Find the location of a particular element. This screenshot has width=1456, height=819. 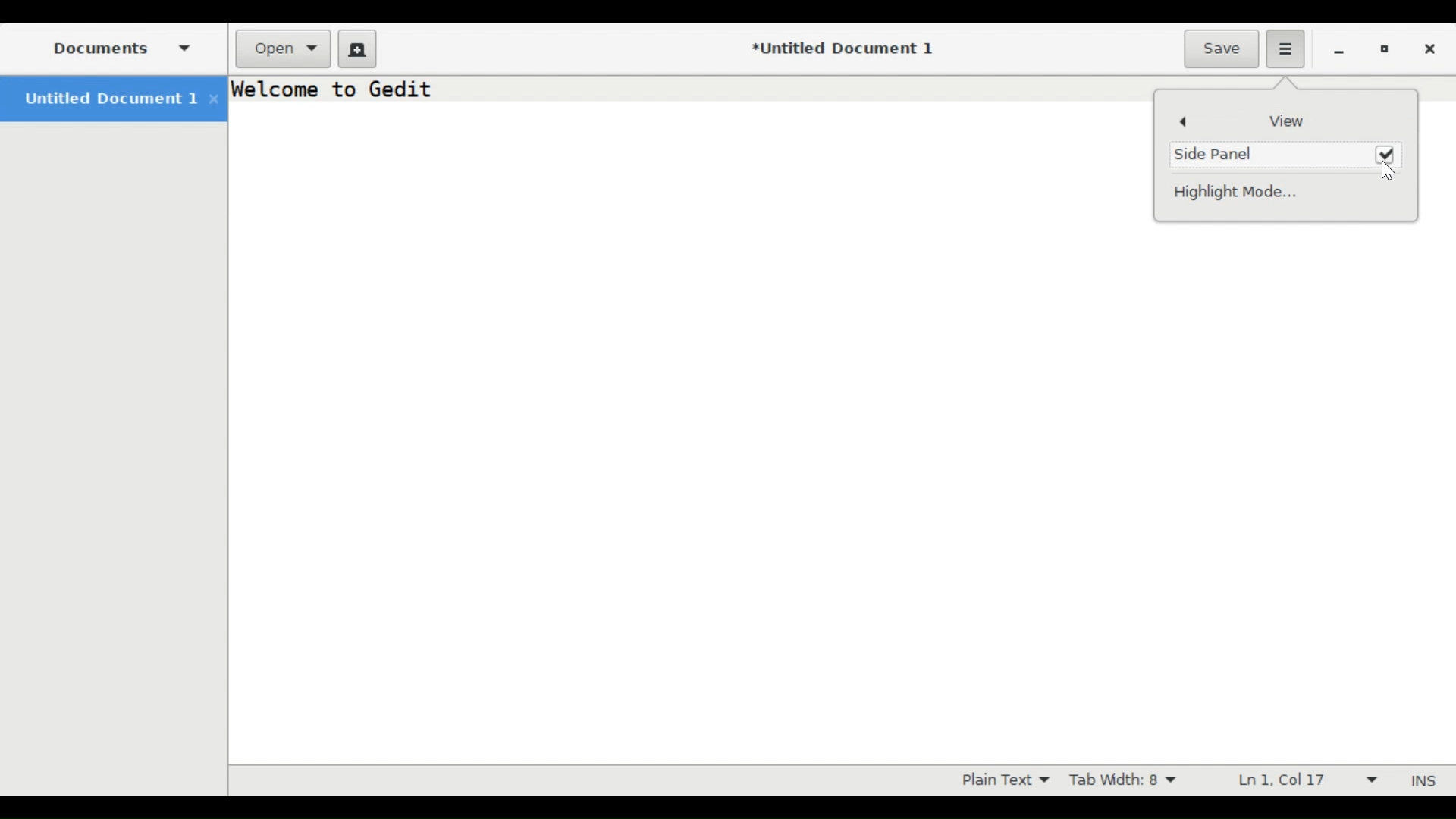

Tab Width is located at coordinates (1129, 780).